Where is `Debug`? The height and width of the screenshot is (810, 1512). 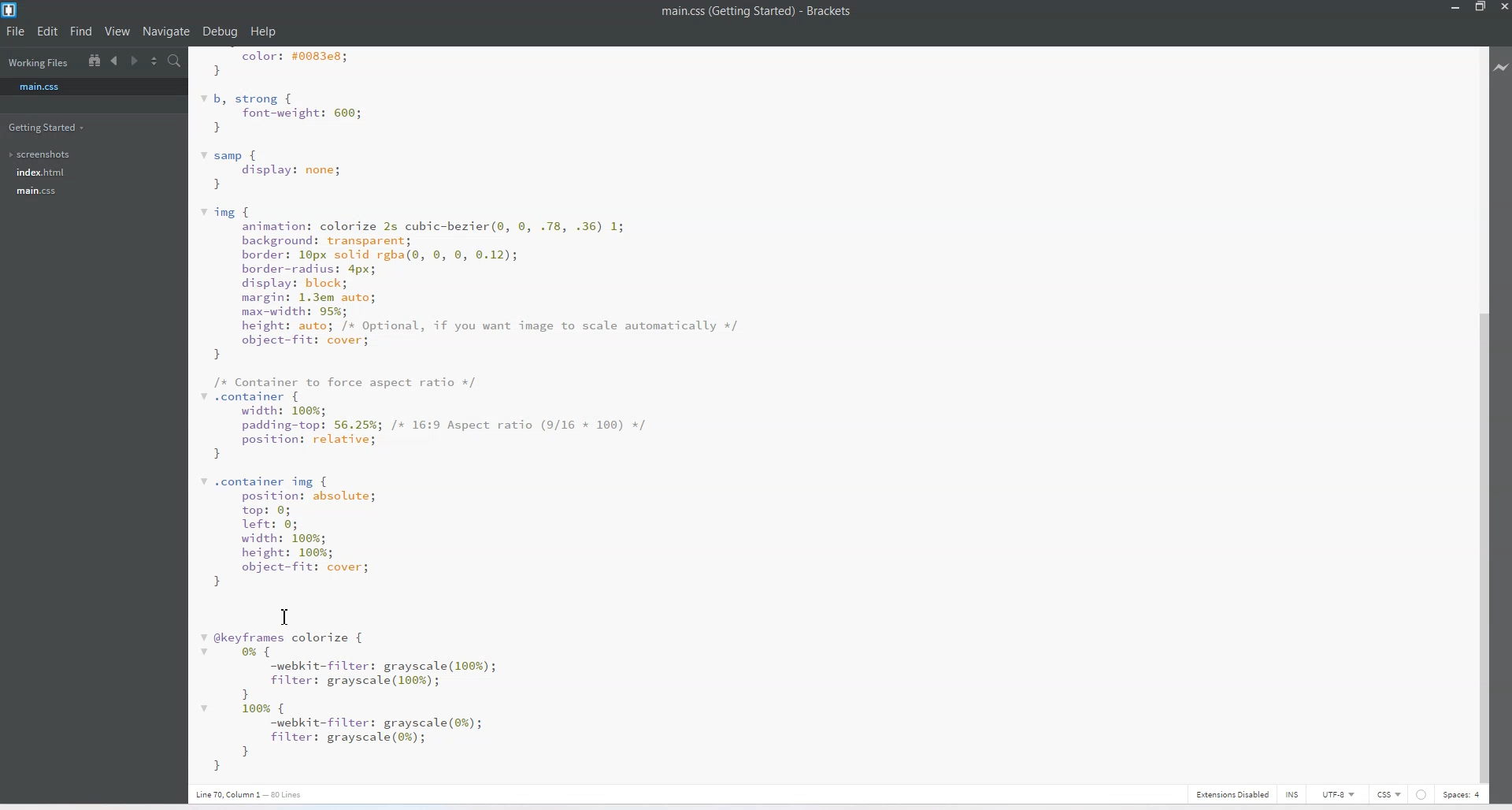
Debug is located at coordinates (220, 32).